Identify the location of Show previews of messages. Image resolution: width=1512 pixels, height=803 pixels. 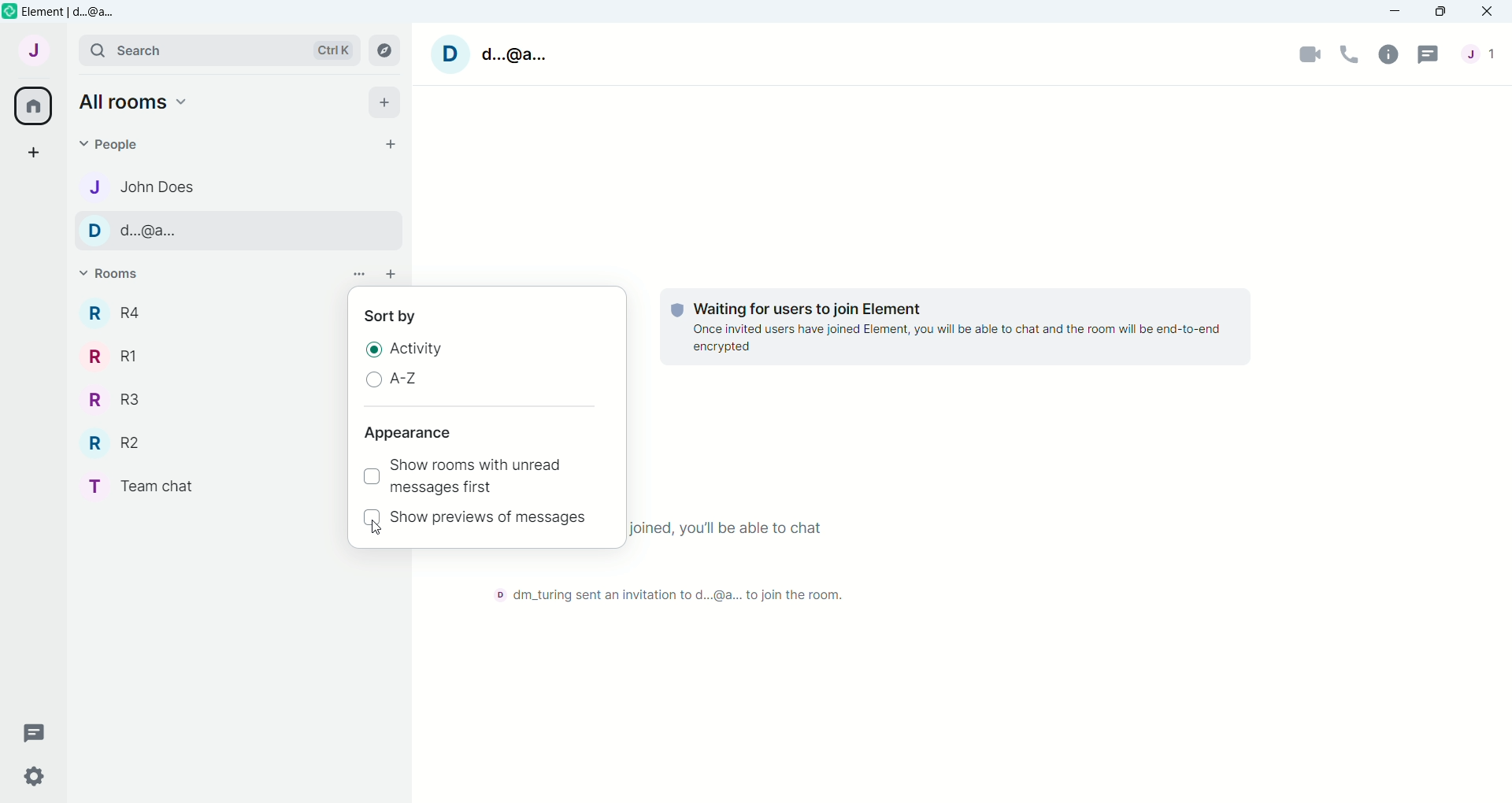
(492, 517).